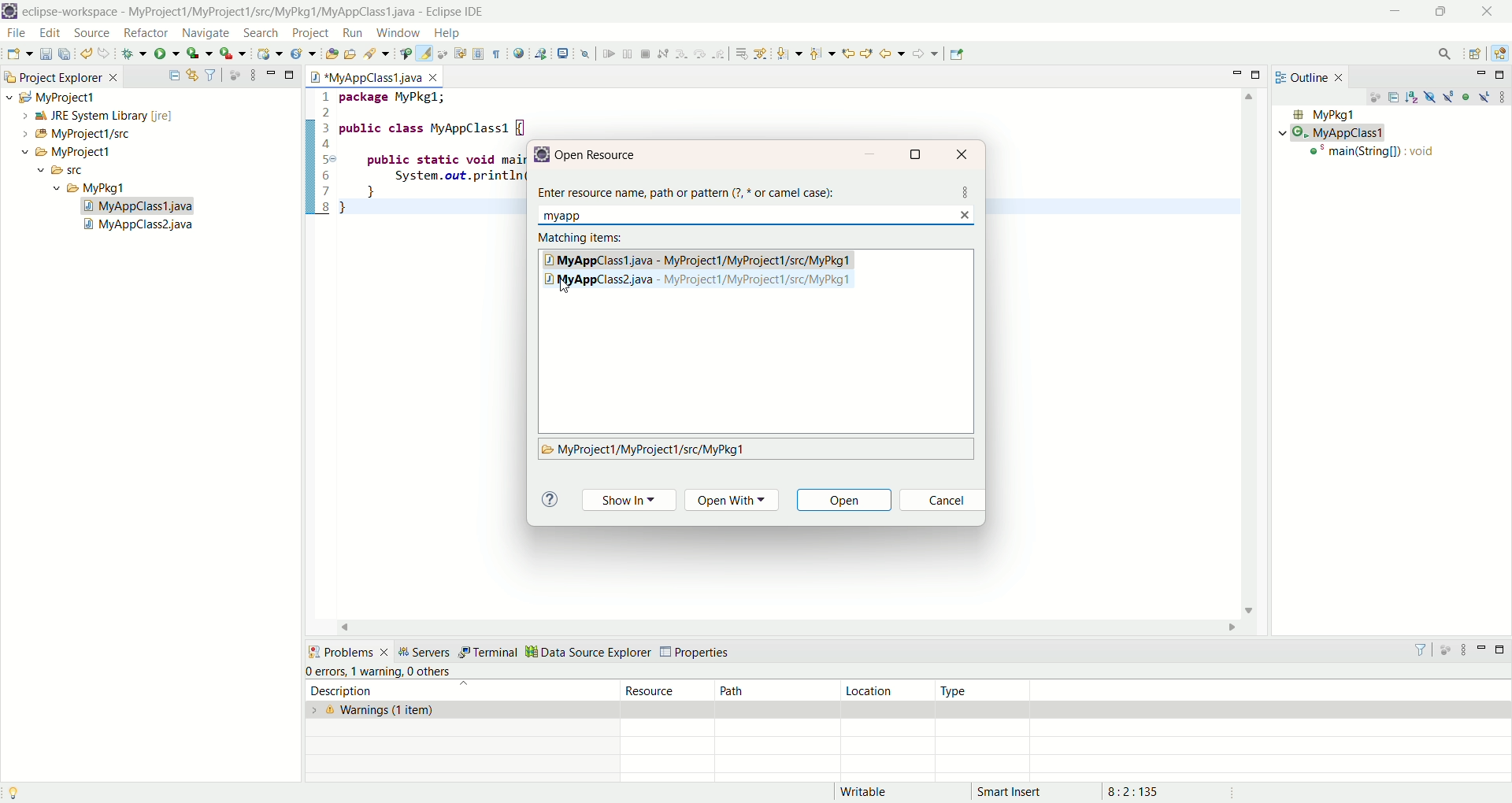 This screenshot has width=1512, height=803. What do you see at coordinates (1467, 96) in the screenshot?
I see `hide non-public member` at bounding box center [1467, 96].